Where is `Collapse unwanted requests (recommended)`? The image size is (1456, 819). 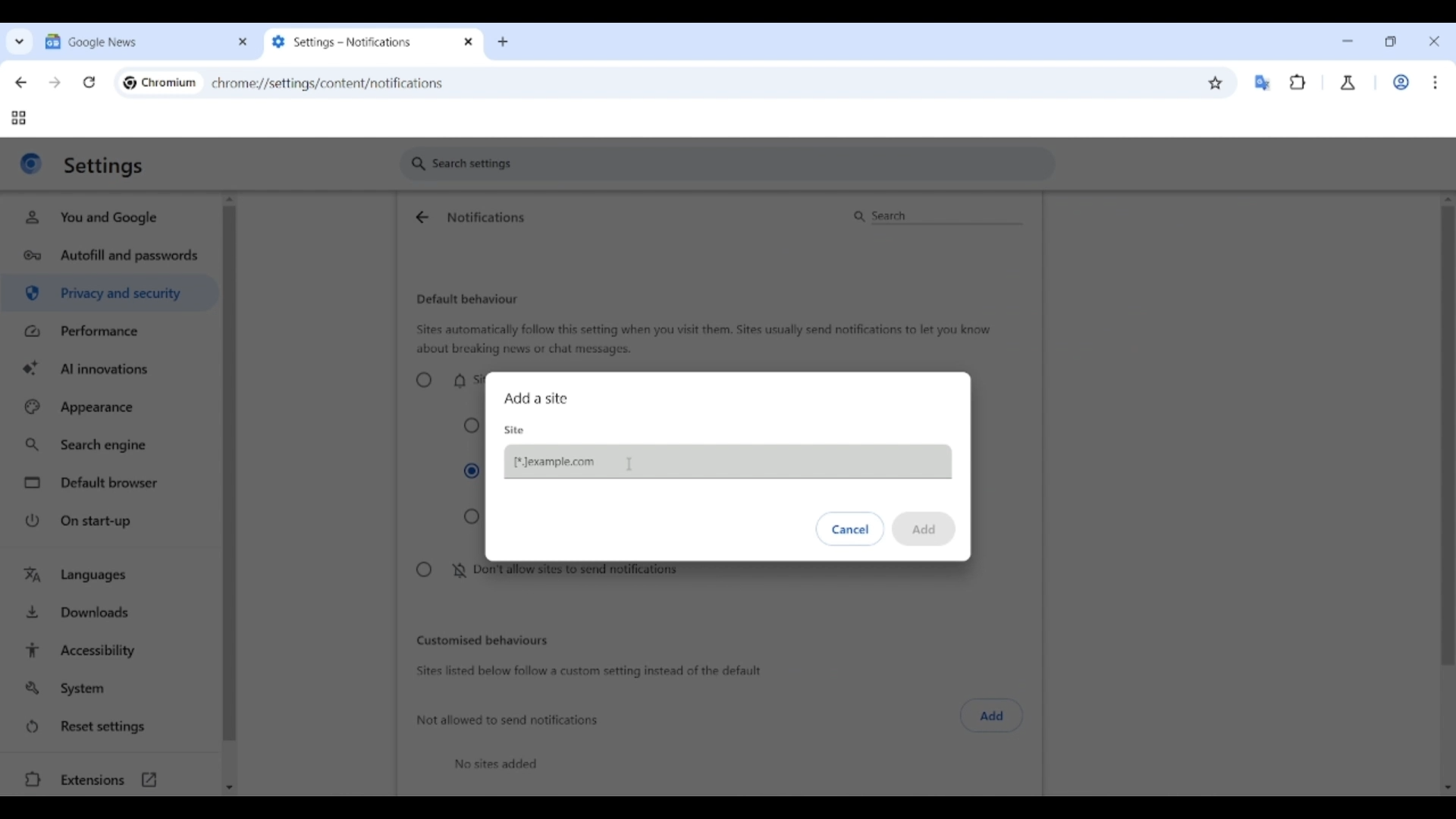
Collapse unwanted requests (recommended) is located at coordinates (472, 472).